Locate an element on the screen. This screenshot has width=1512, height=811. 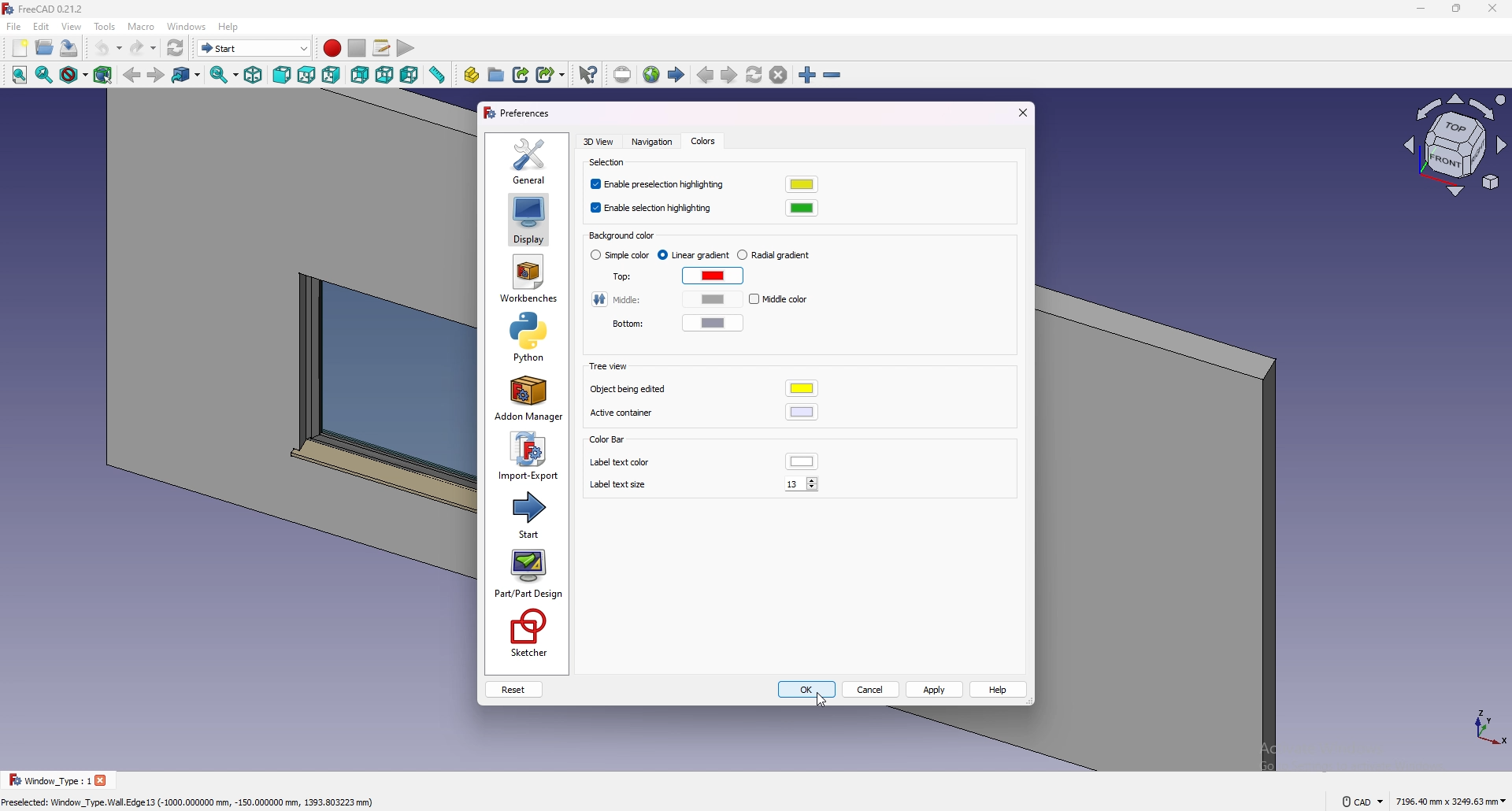
selection highlighting color is located at coordinates (802, 208).